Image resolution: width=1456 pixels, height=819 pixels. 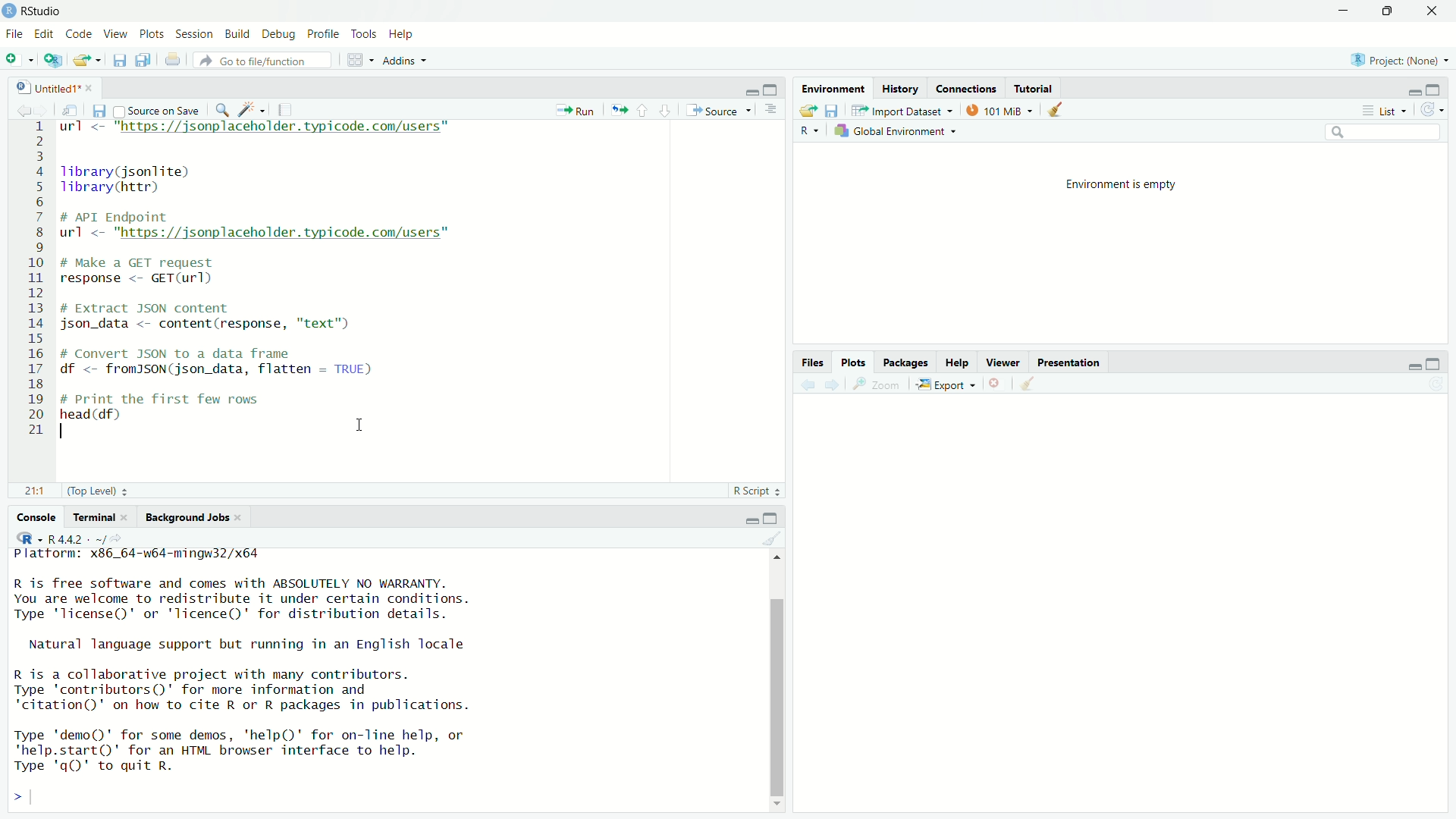 What do you see at coordinates (957, 363) in the screenshot?
I see `Help` at bounding box center [957, 363].